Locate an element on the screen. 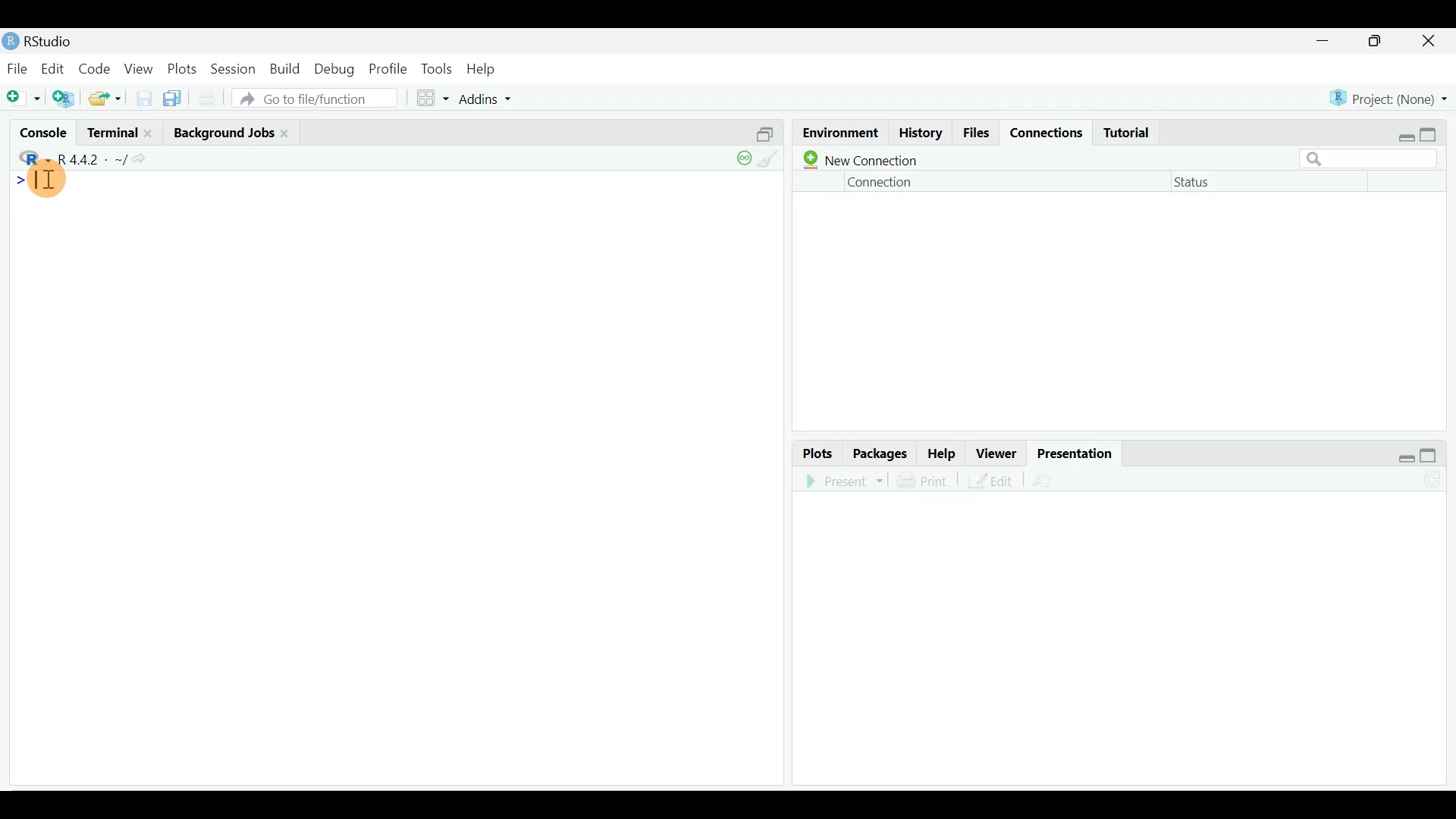 The width and height of the screenshot is (1456, 819). Text cursor is located at coordinates (55, 182).